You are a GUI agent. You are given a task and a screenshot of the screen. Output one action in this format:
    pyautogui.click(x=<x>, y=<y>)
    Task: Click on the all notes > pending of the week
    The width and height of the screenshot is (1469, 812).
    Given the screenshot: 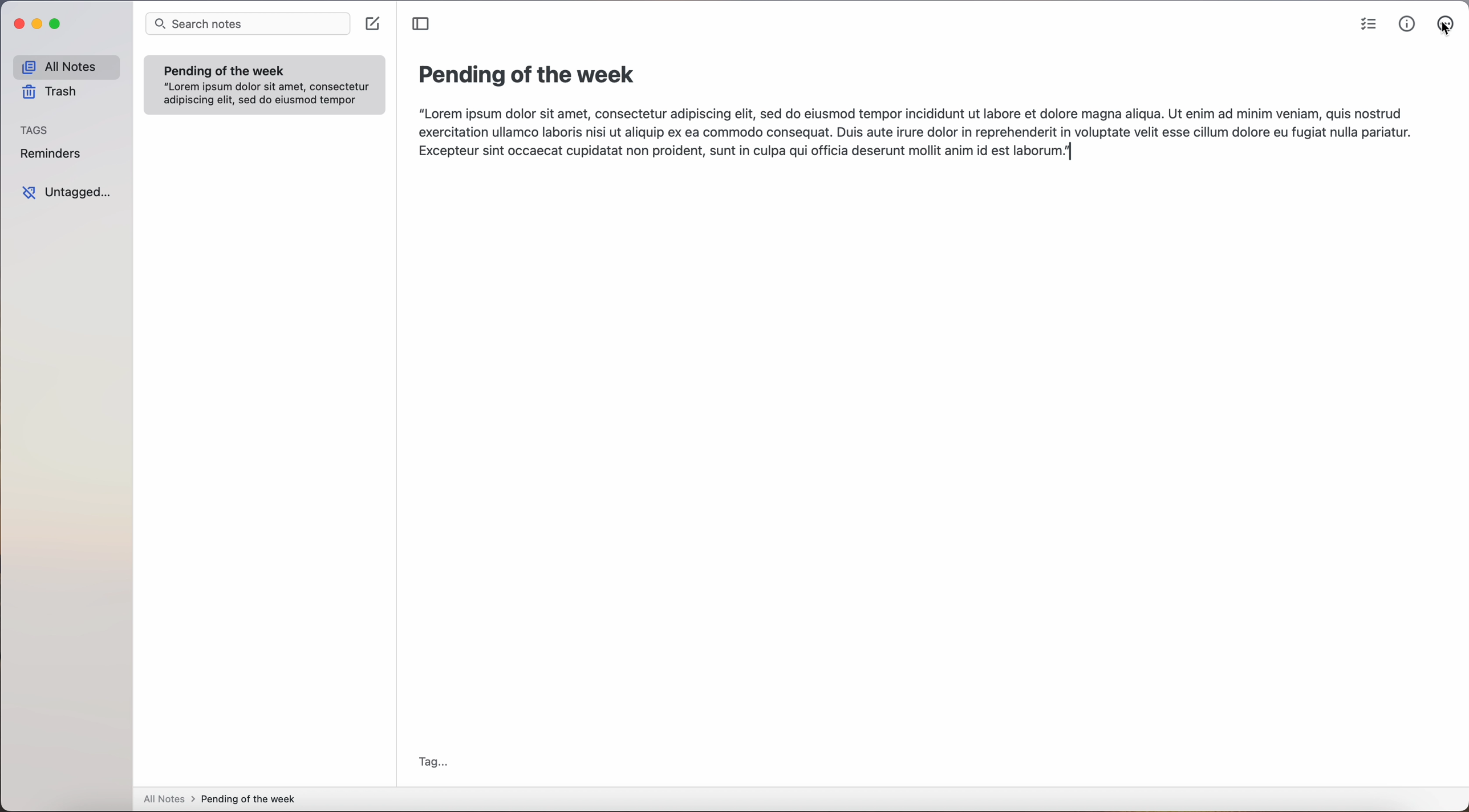 What is the action you would take?
    pyautogui.click(x=224, y=800)
    